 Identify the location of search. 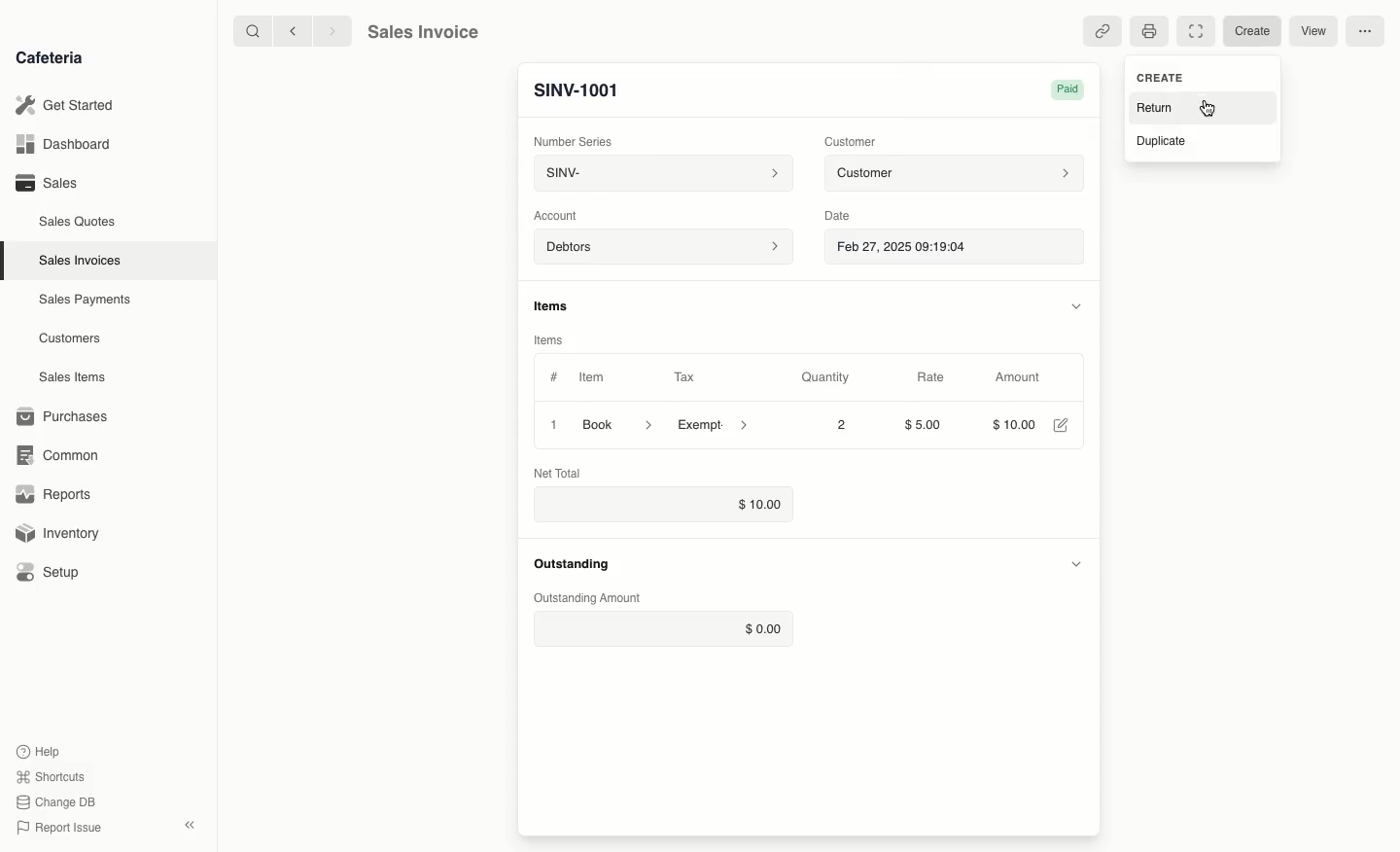
(250, 30).